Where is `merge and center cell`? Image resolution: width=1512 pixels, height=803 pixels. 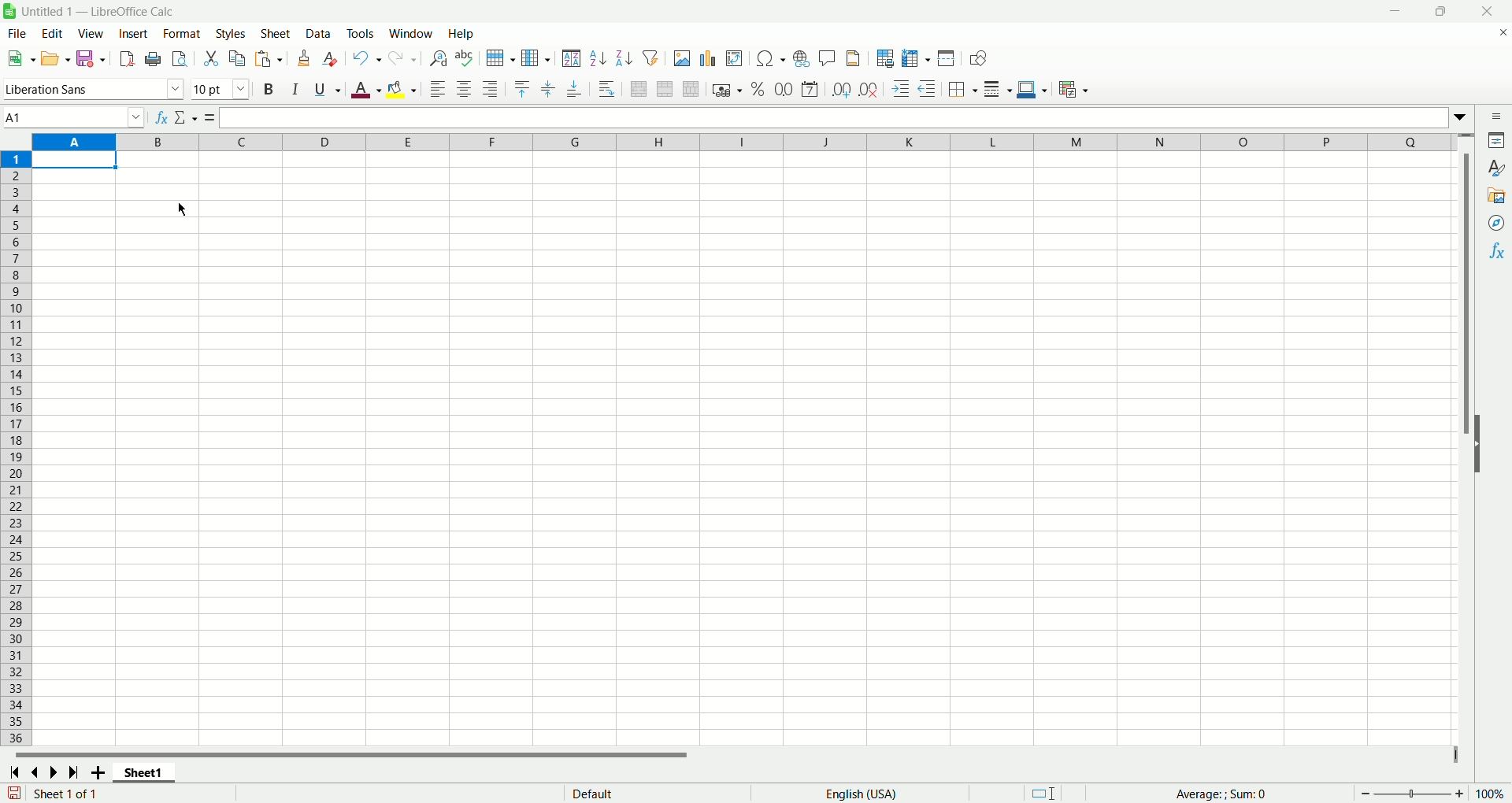 merge and center cell is located at coordinates (641, 87).